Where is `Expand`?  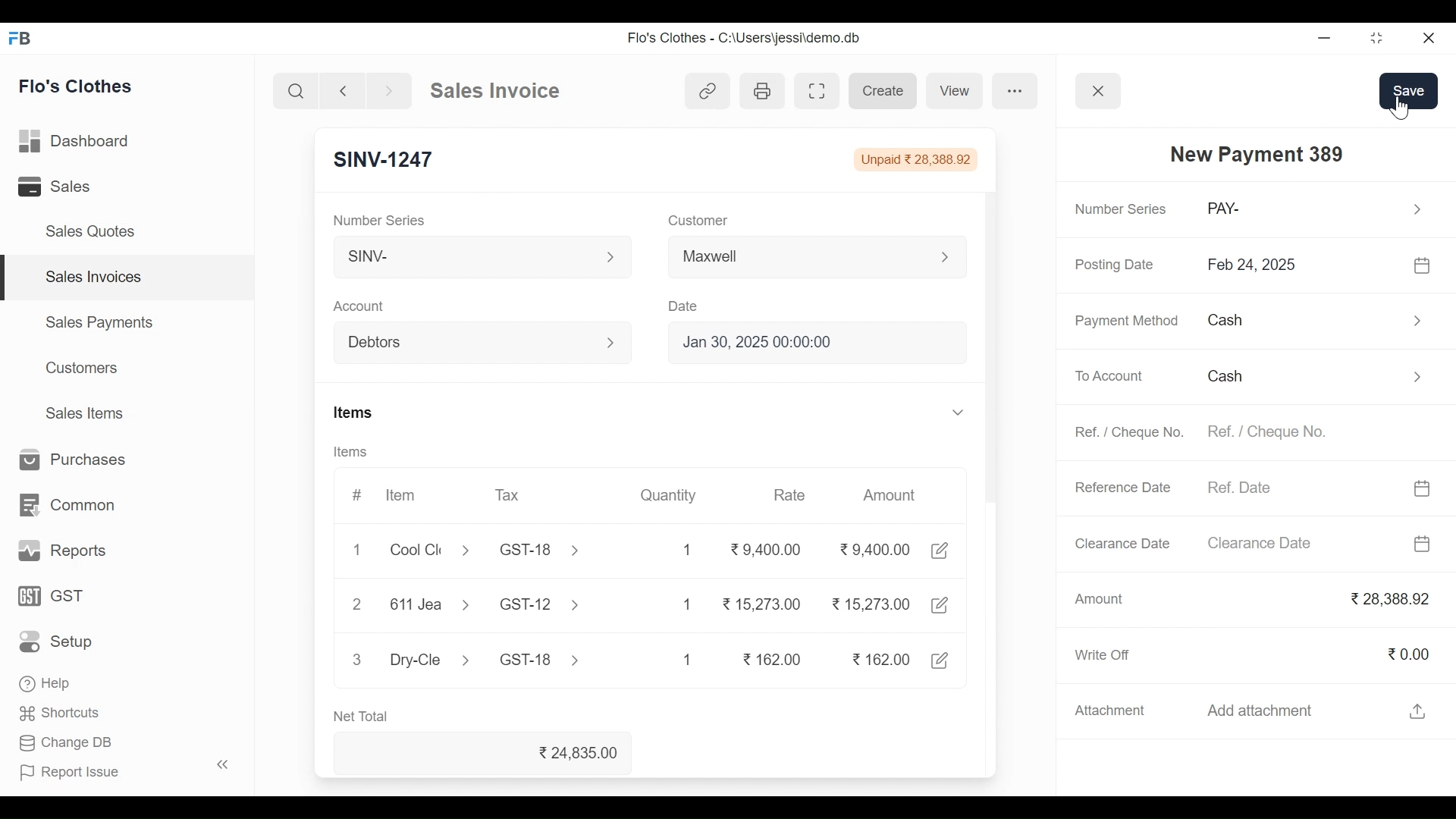
Expand is located at coordinates (955, 413).